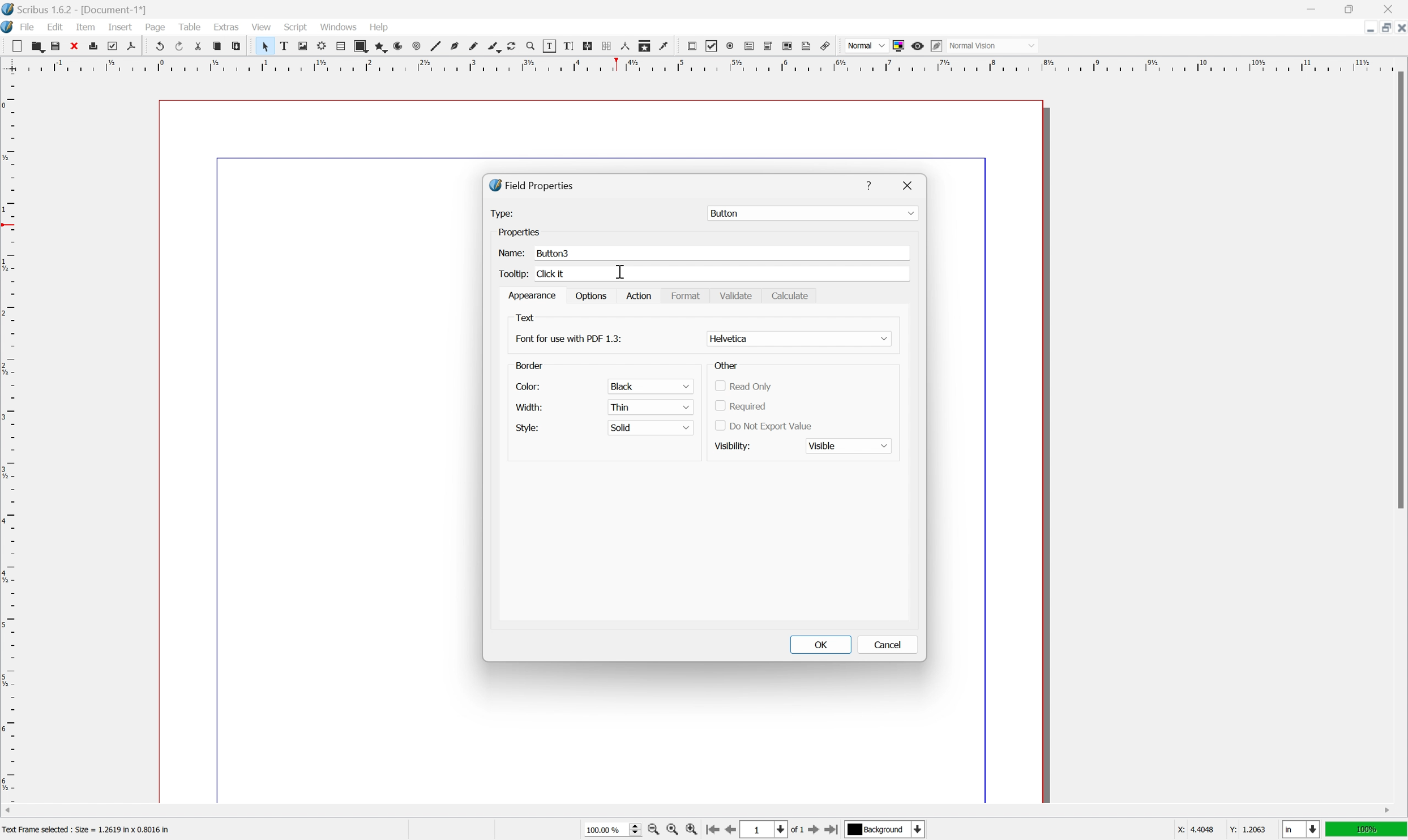 The width and height of the screenshot is (1408, 840). Describe the element at coordinates (692, 45) in the screenshot. I see `pdf push button` at that location.